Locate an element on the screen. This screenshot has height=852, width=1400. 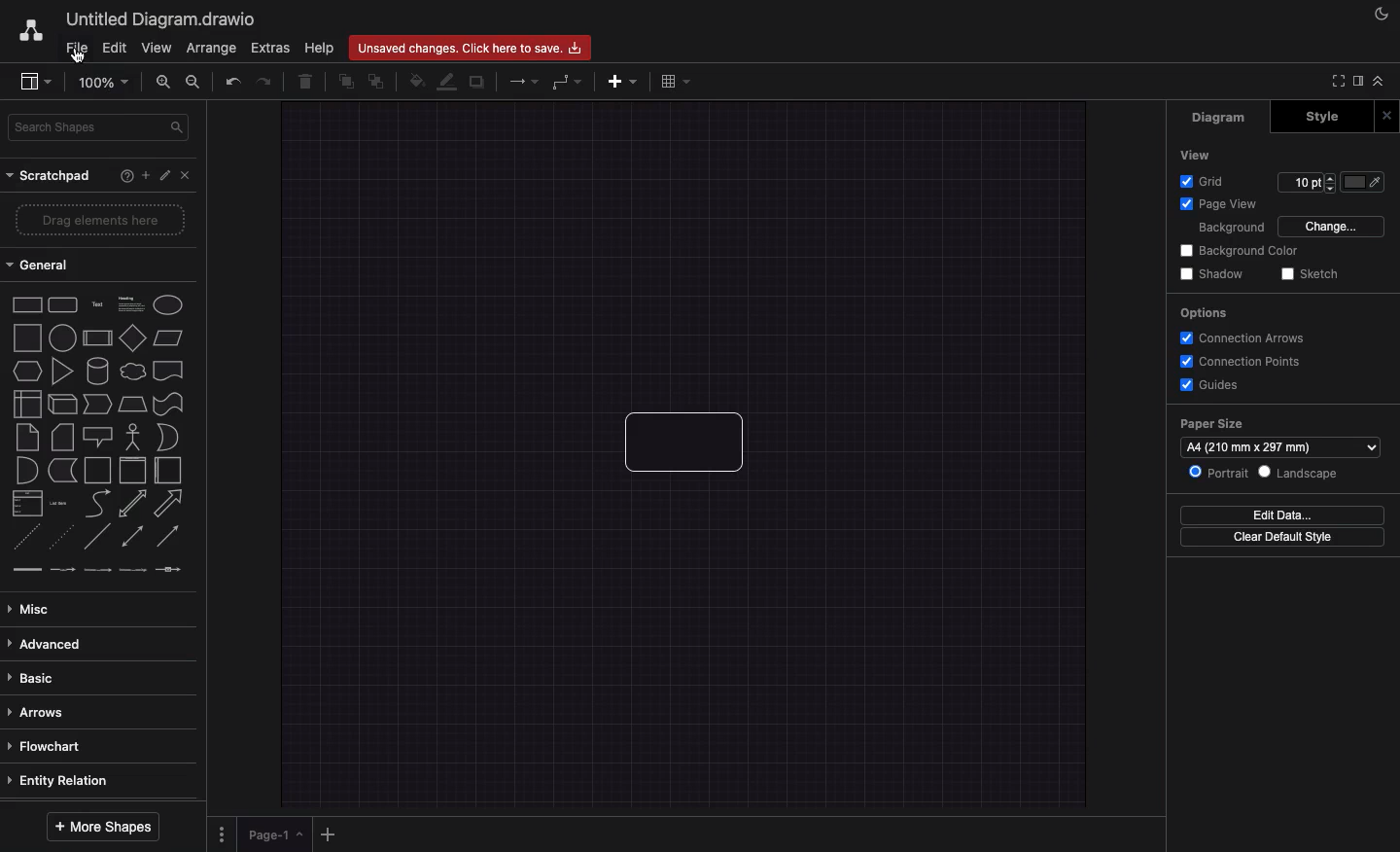
To front is located at coordinates (344, 85).